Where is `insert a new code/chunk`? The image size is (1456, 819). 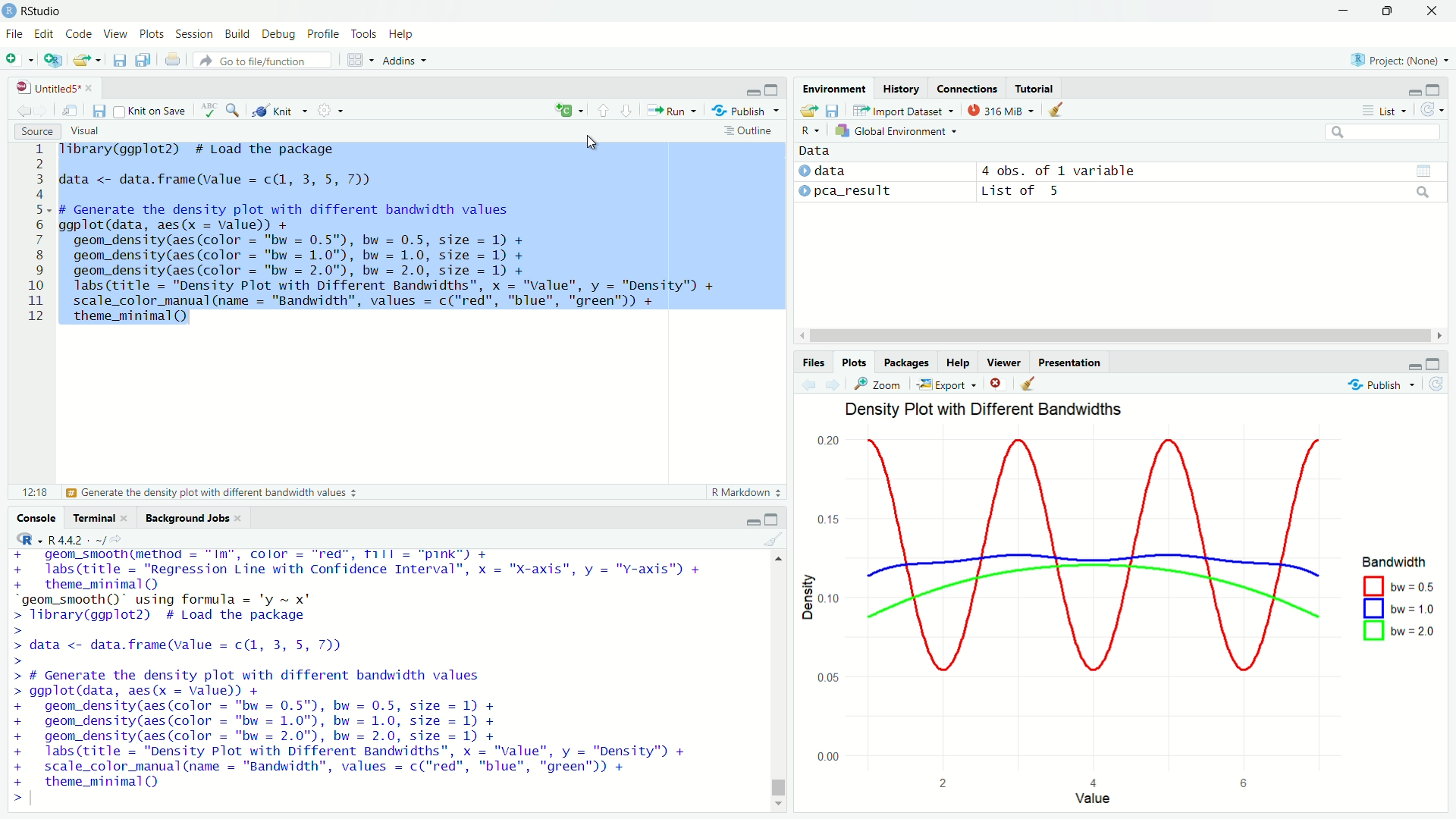
insert a new code/chunk is located at coordinates (569, 110).